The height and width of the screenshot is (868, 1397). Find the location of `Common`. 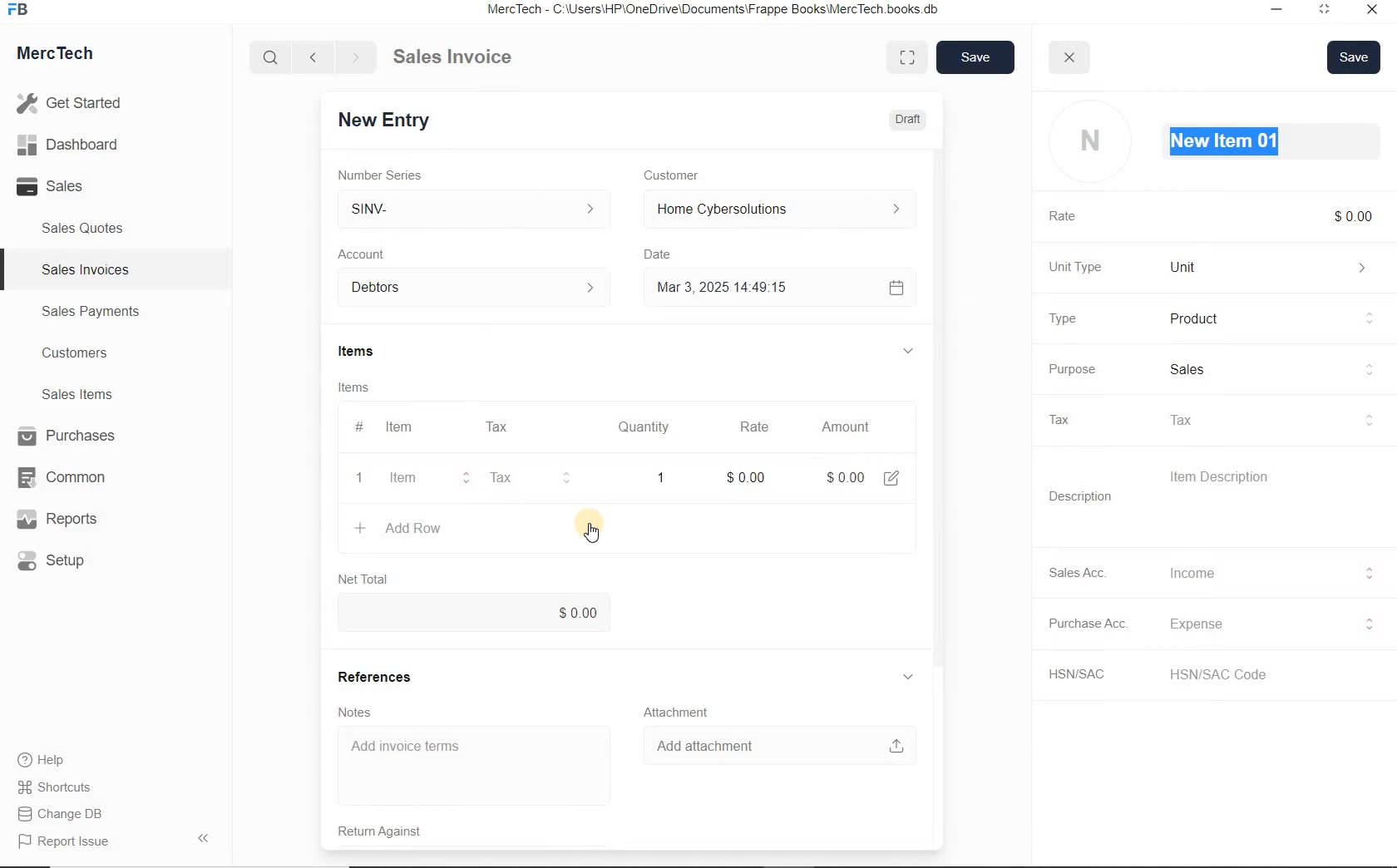

Common is located at coordinates (69, 476).